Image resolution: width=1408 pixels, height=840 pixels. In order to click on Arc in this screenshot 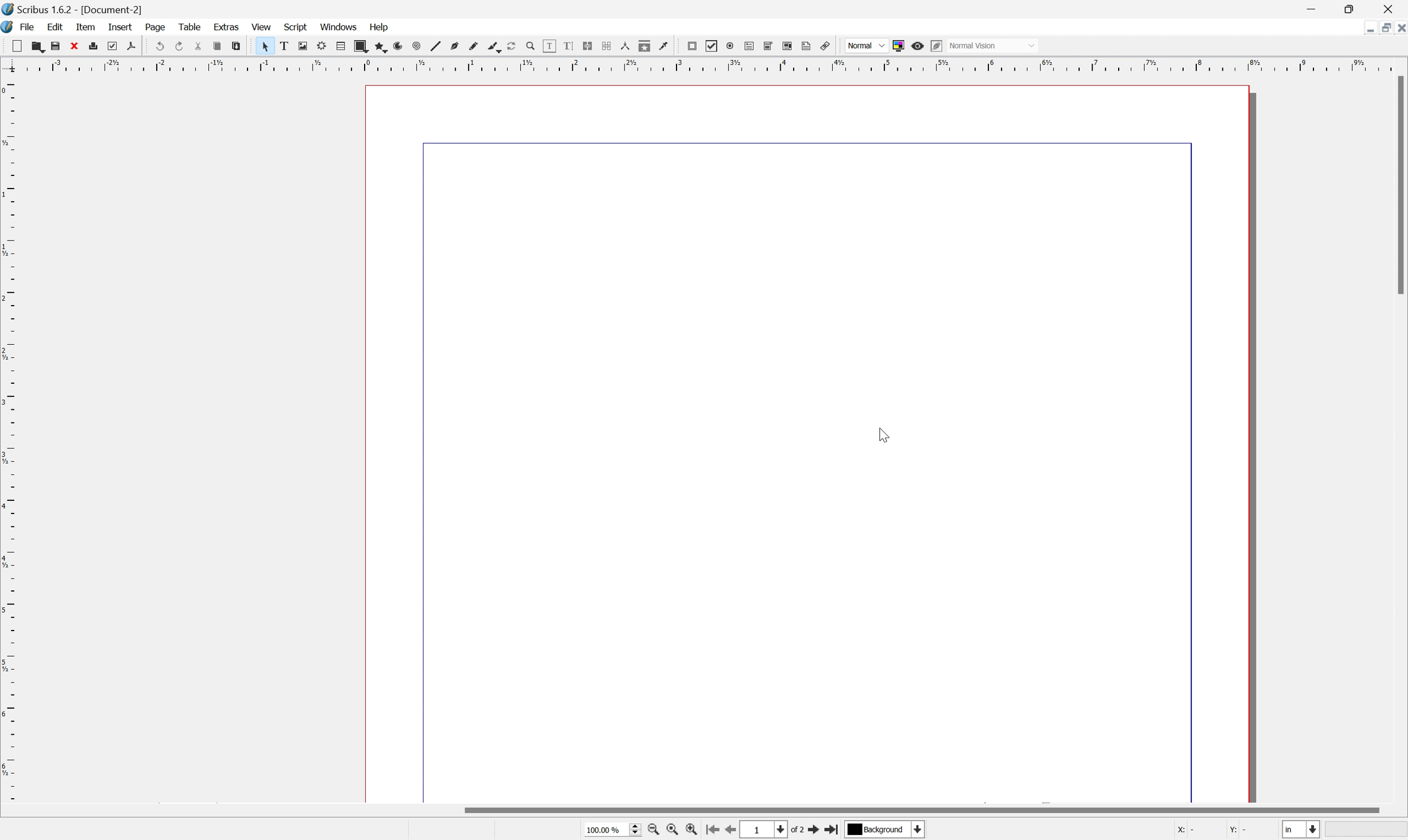, I will do `click(396, 46)`.